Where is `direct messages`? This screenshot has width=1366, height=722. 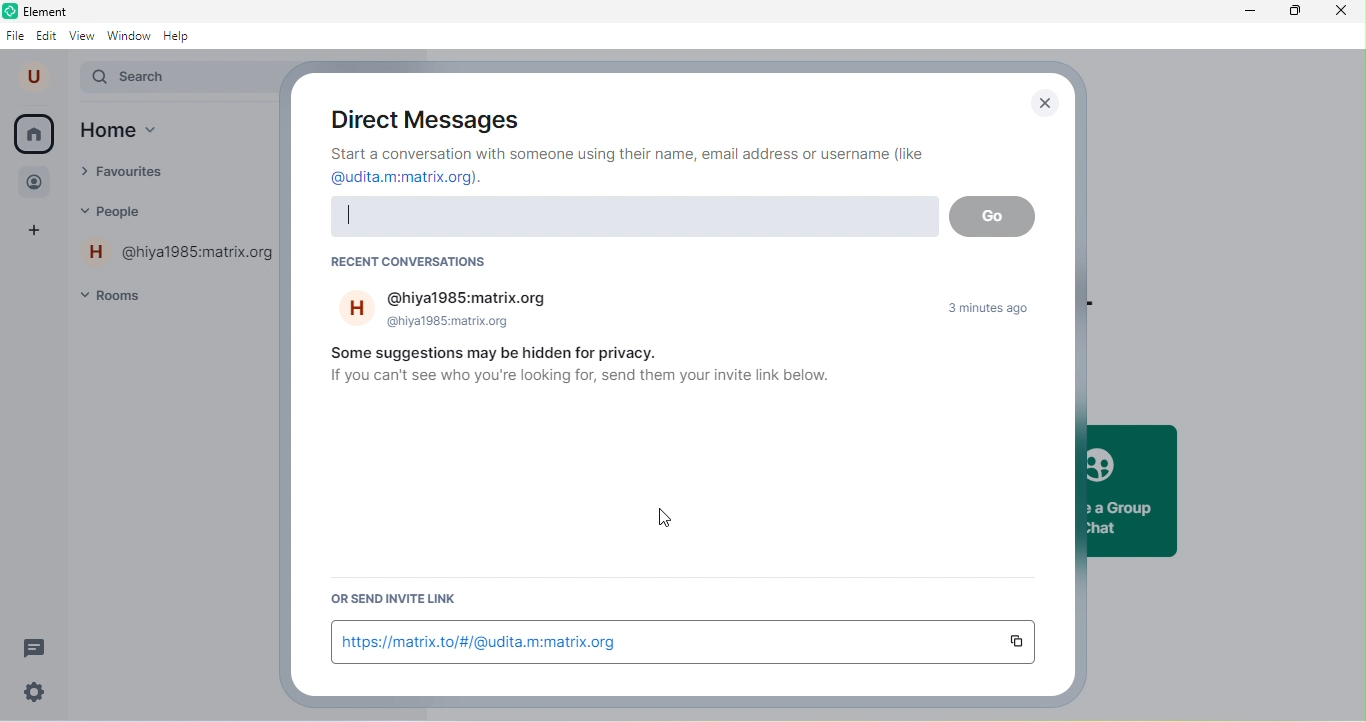
direct messages is located at coordinates (419, 115).